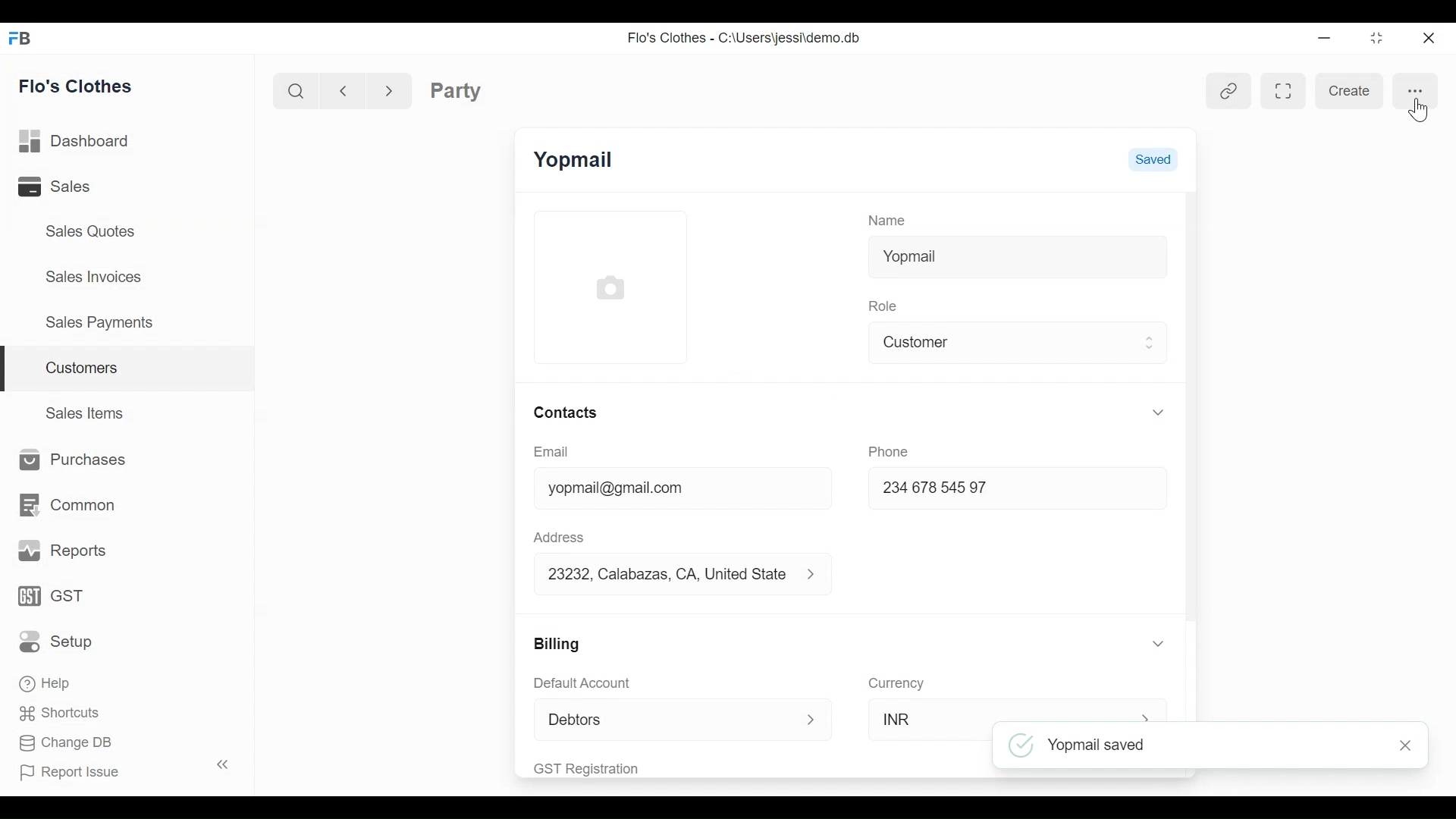 The width and height of the screenshot is (1456, 819). Describe the element at coordinates (1372, 38) in the screenshot. I see `Restore` at that location.